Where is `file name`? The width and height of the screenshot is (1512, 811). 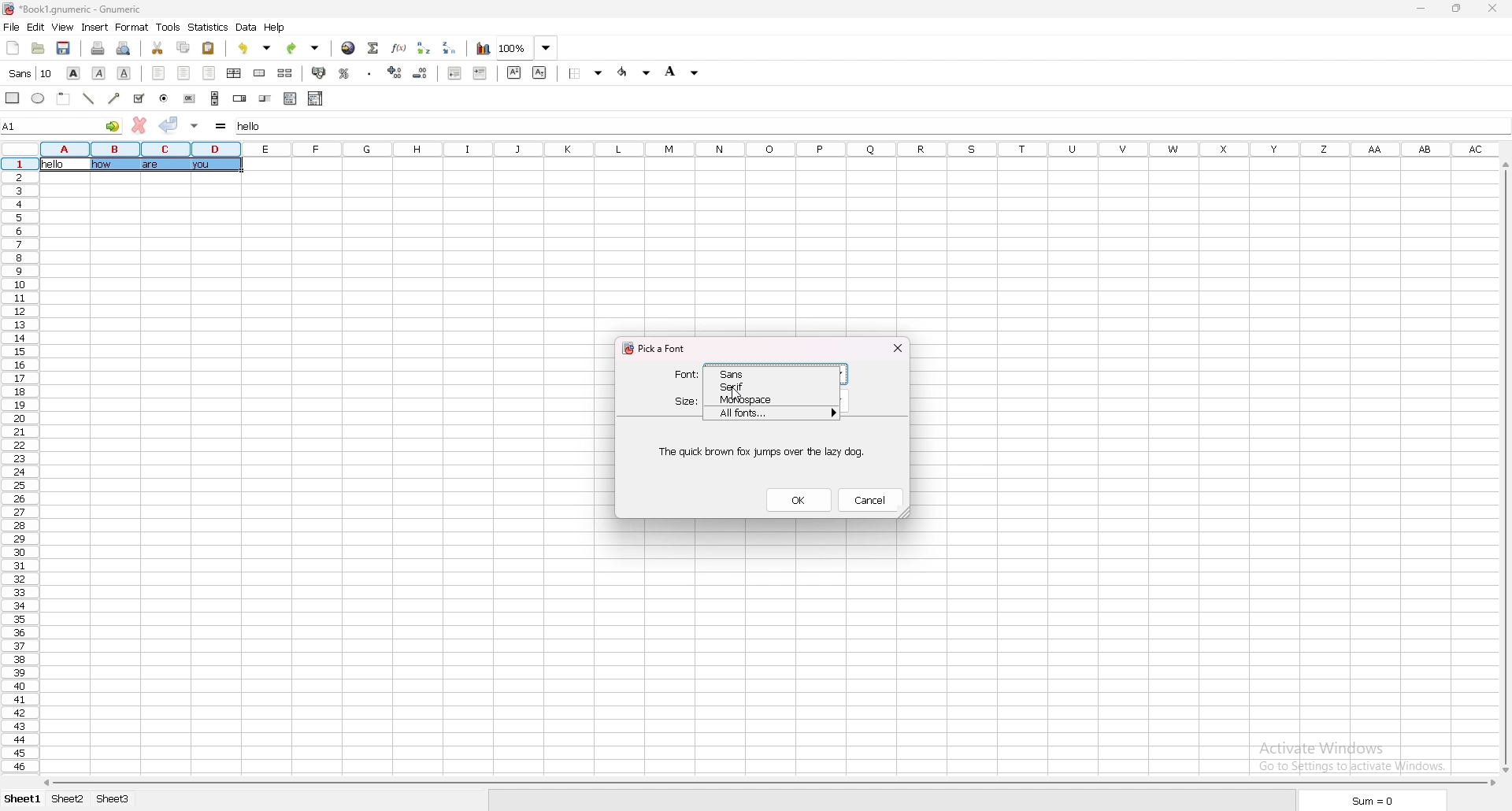 file name is located at coordinates (73, 9).